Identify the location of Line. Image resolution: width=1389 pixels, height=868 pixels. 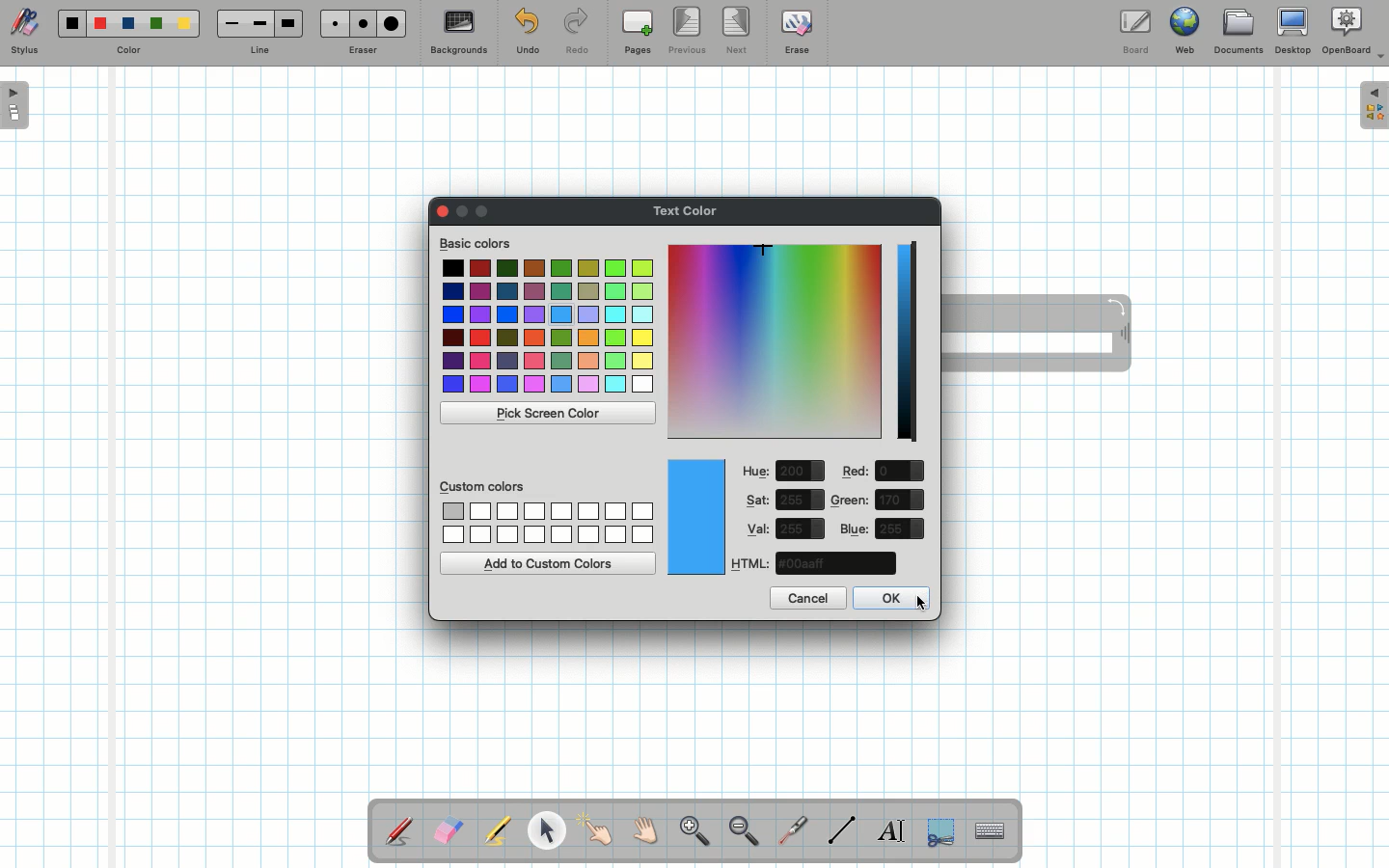
(259, 51).